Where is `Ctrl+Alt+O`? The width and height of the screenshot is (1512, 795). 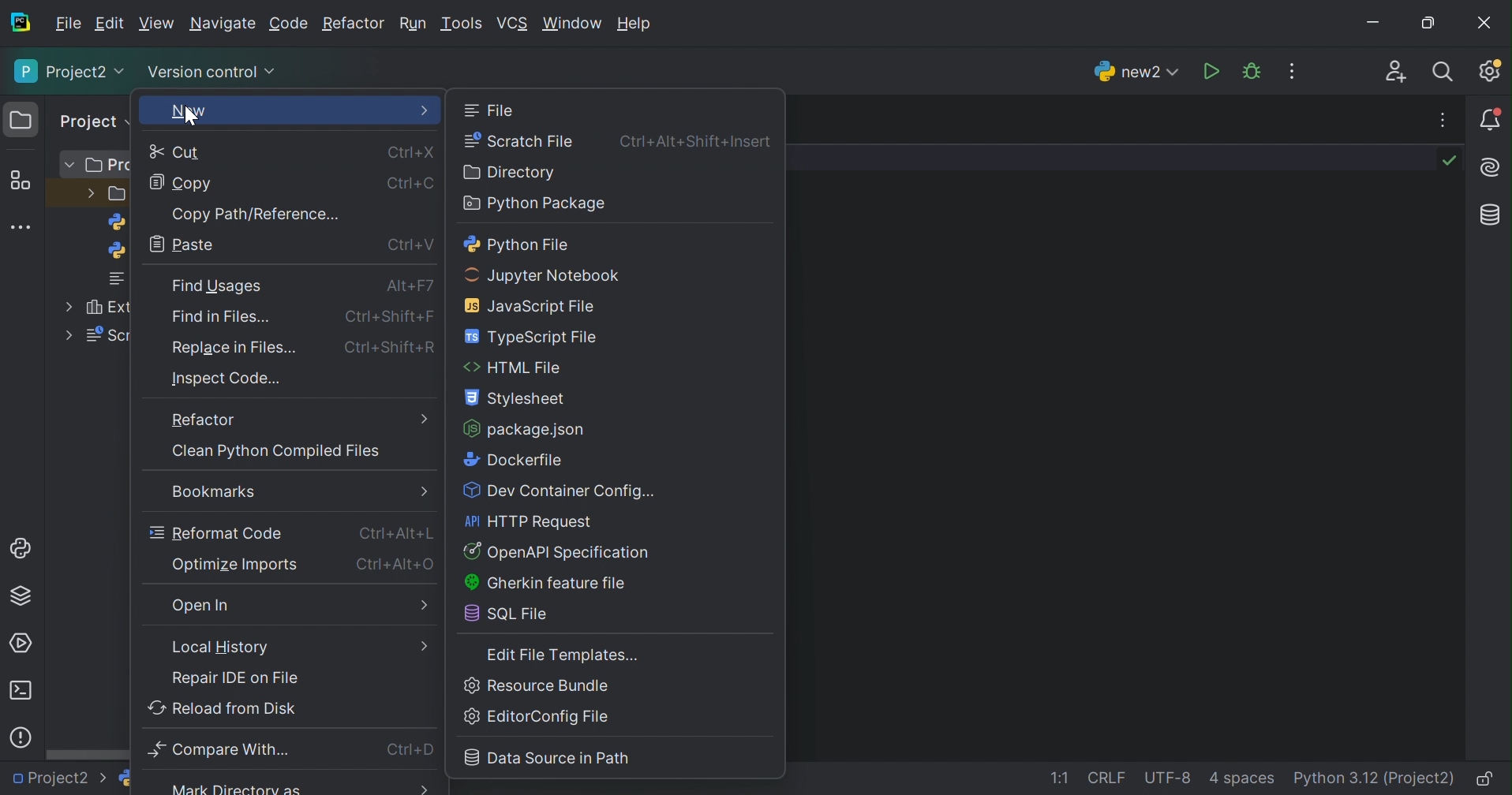 Ctrl+Alt+O is located at coordinates (397, 564).